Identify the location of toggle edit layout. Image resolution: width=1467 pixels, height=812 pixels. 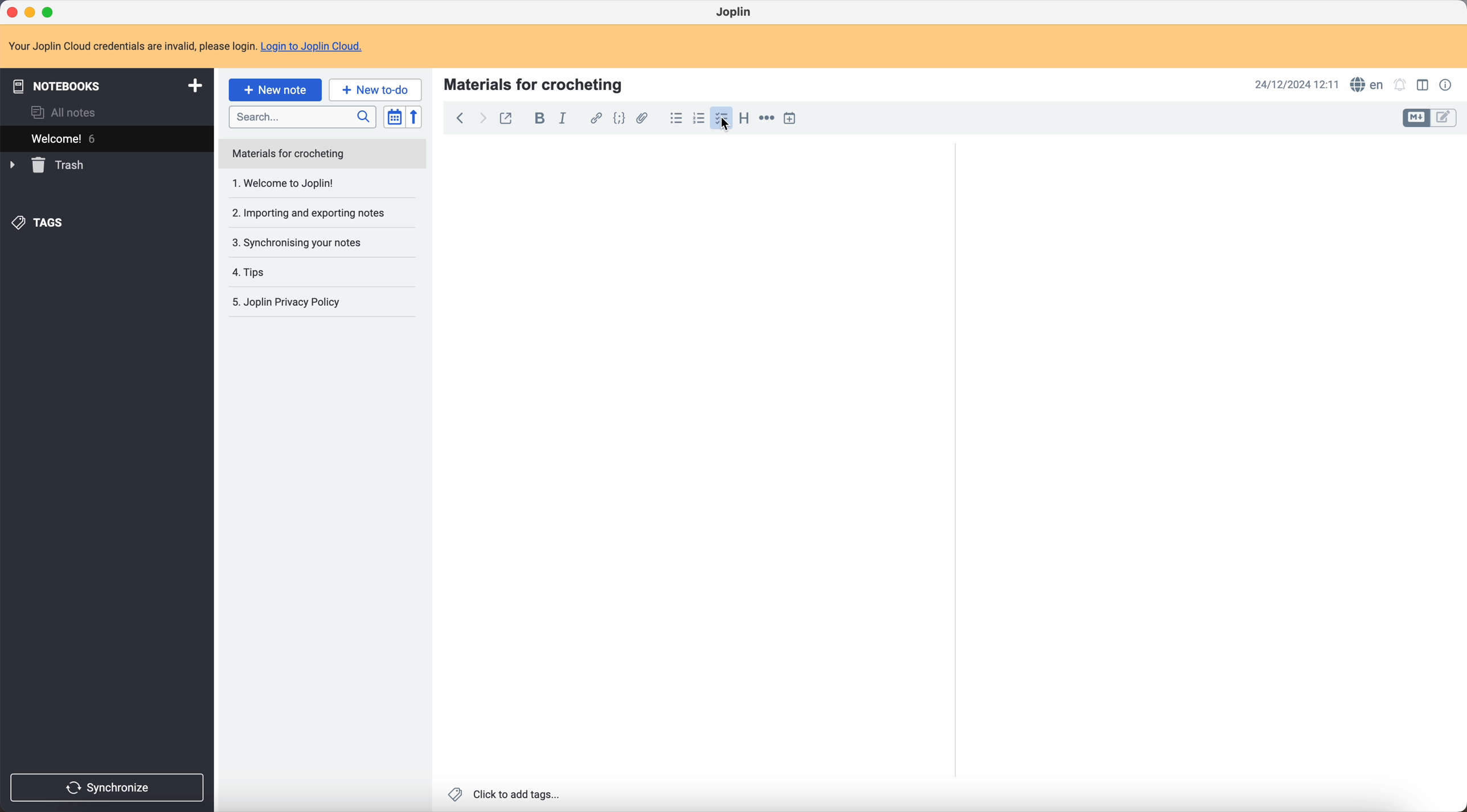
(1416, 118).